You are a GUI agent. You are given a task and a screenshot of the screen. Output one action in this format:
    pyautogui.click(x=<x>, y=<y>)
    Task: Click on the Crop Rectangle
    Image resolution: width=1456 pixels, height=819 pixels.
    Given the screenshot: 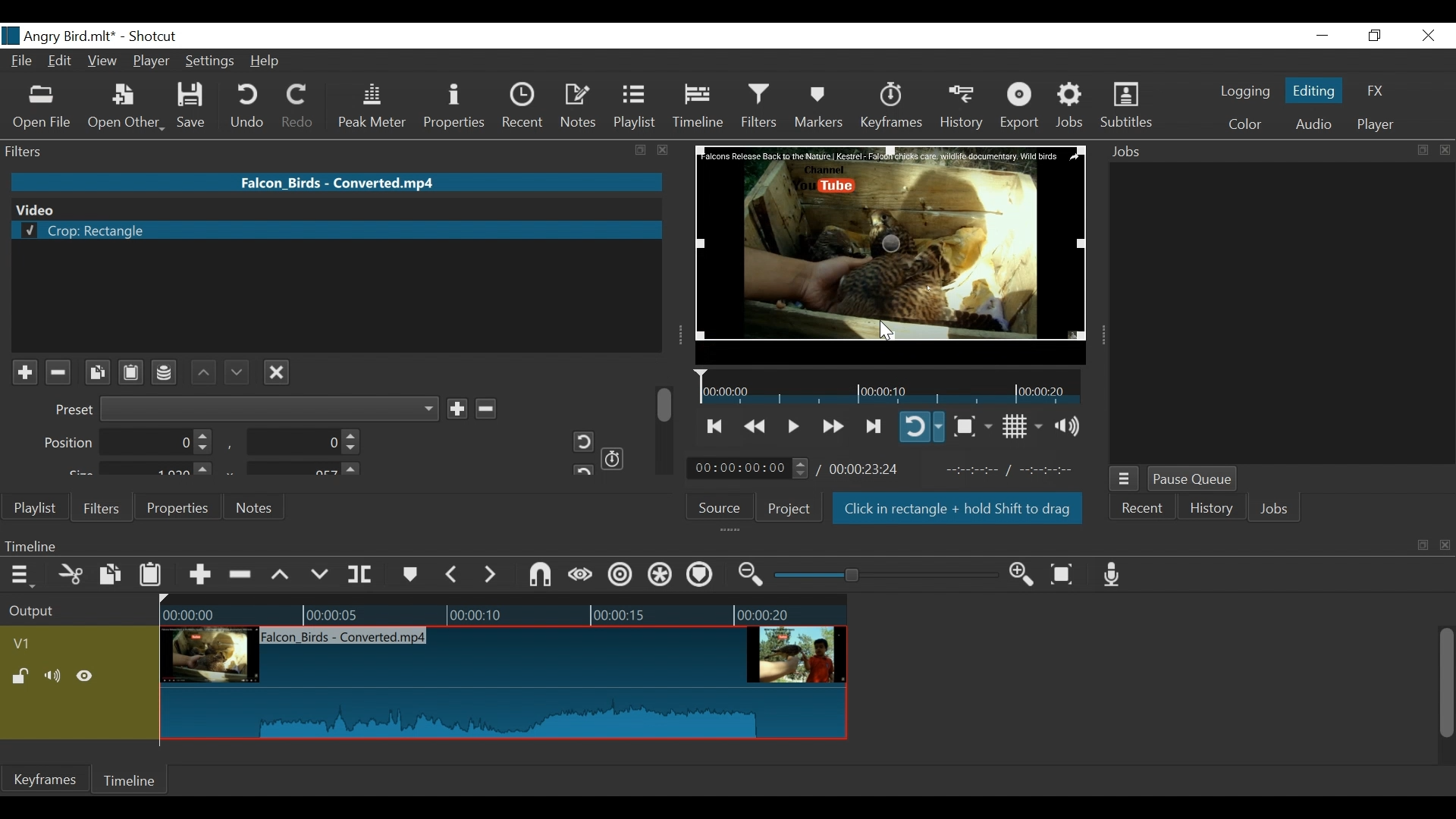 What is the action you would take?
    pyautogui.click(x=336, y=231)
    